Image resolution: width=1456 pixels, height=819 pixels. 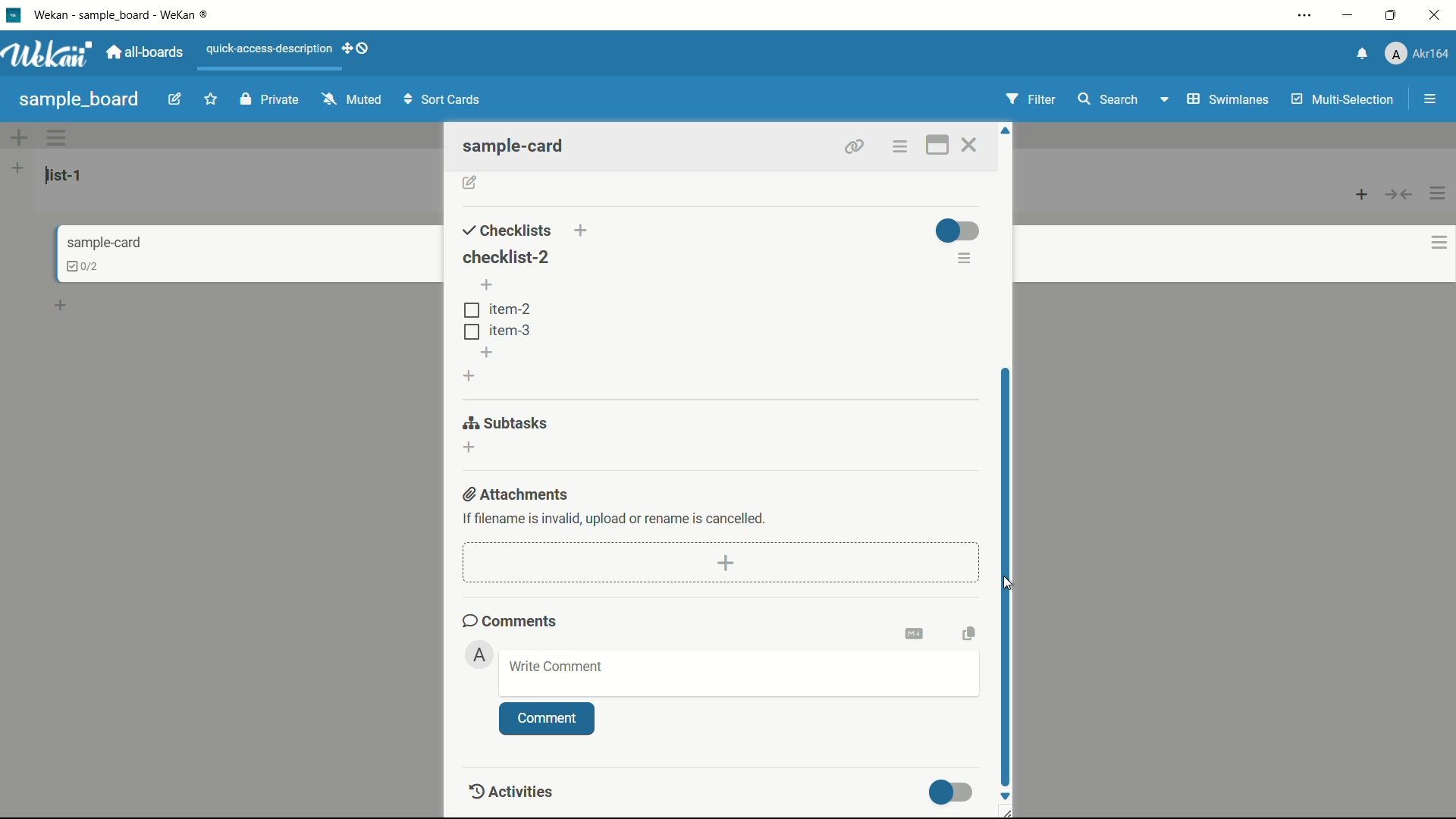 What do you see at coordinates (488, 287) in the screenshot?
I see `add item` at bounding box center [488, 287].